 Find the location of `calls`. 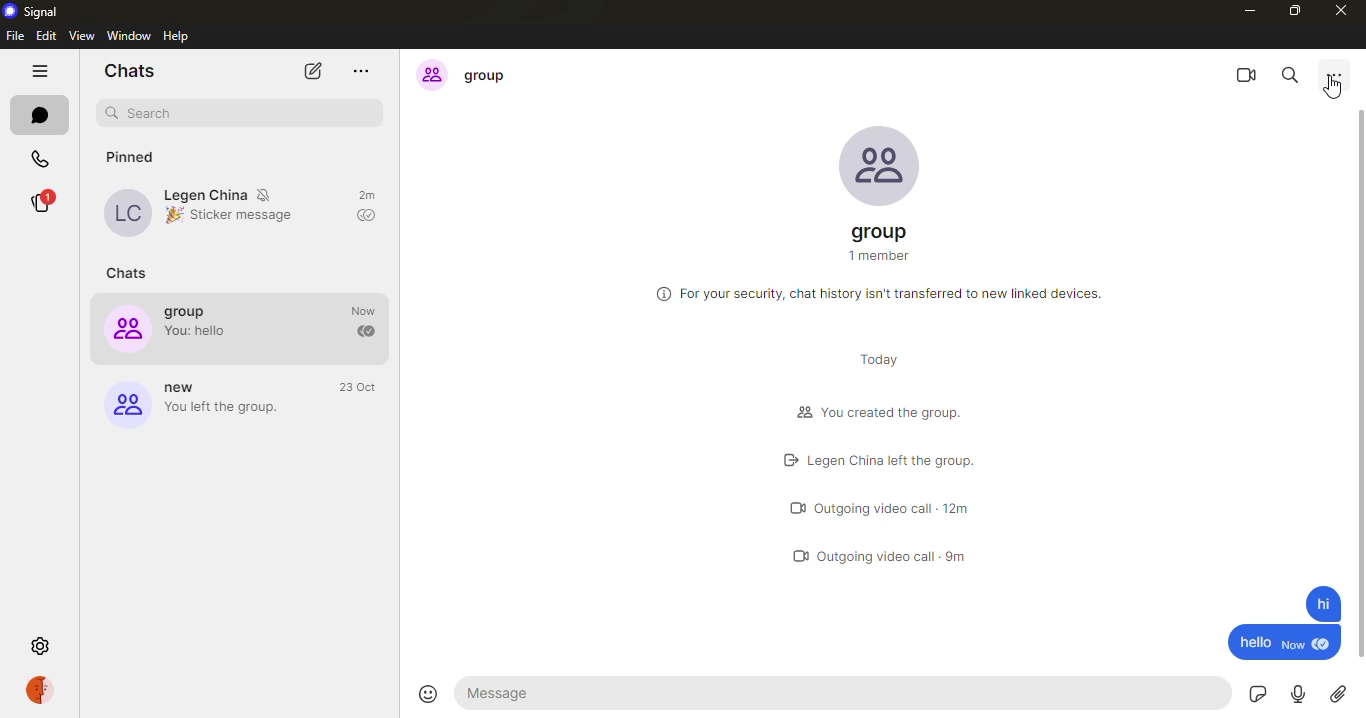

calls is located at coordinates (38, 157).